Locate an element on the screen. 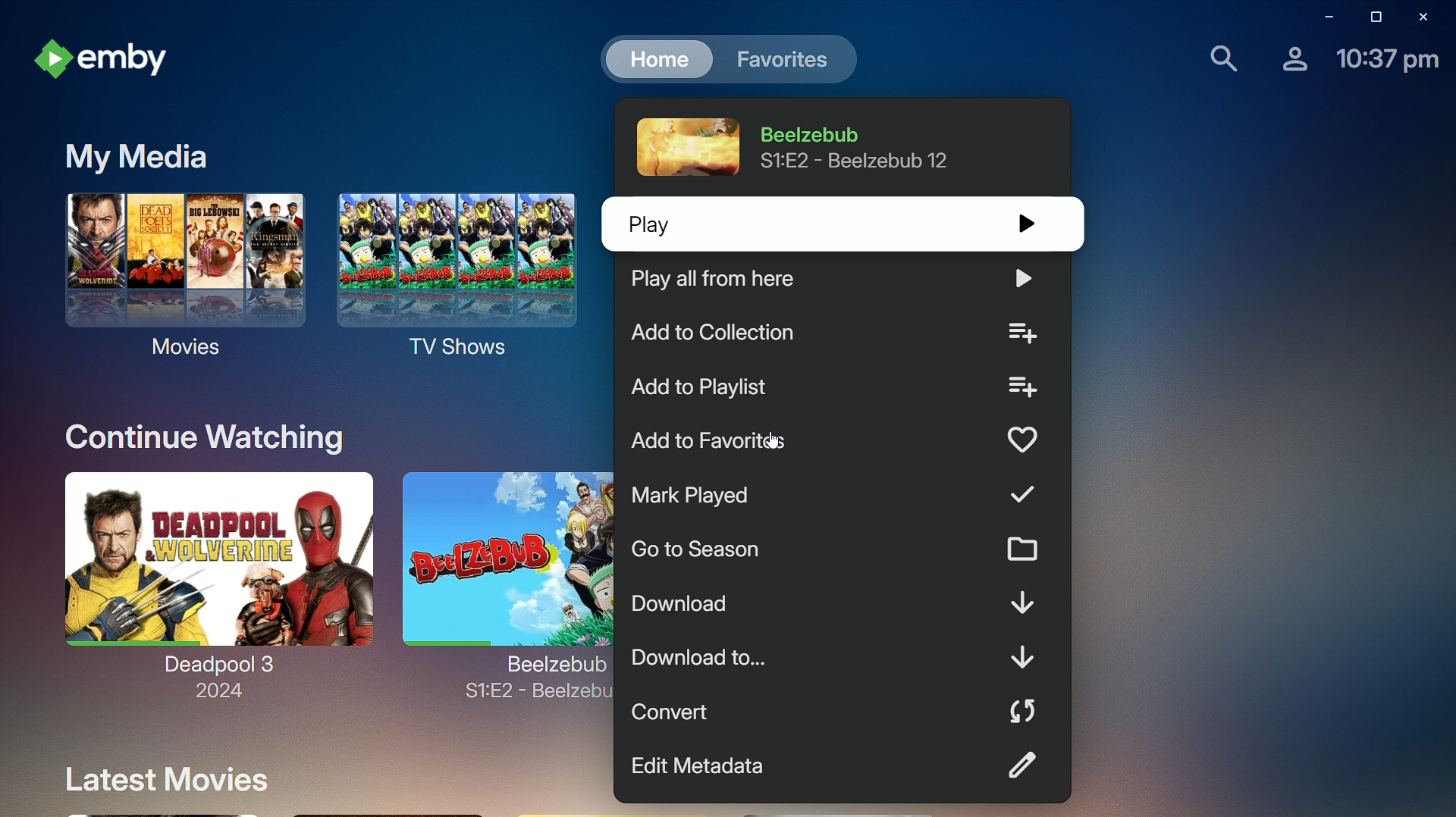  2024 is located at coordinates (215, 692).